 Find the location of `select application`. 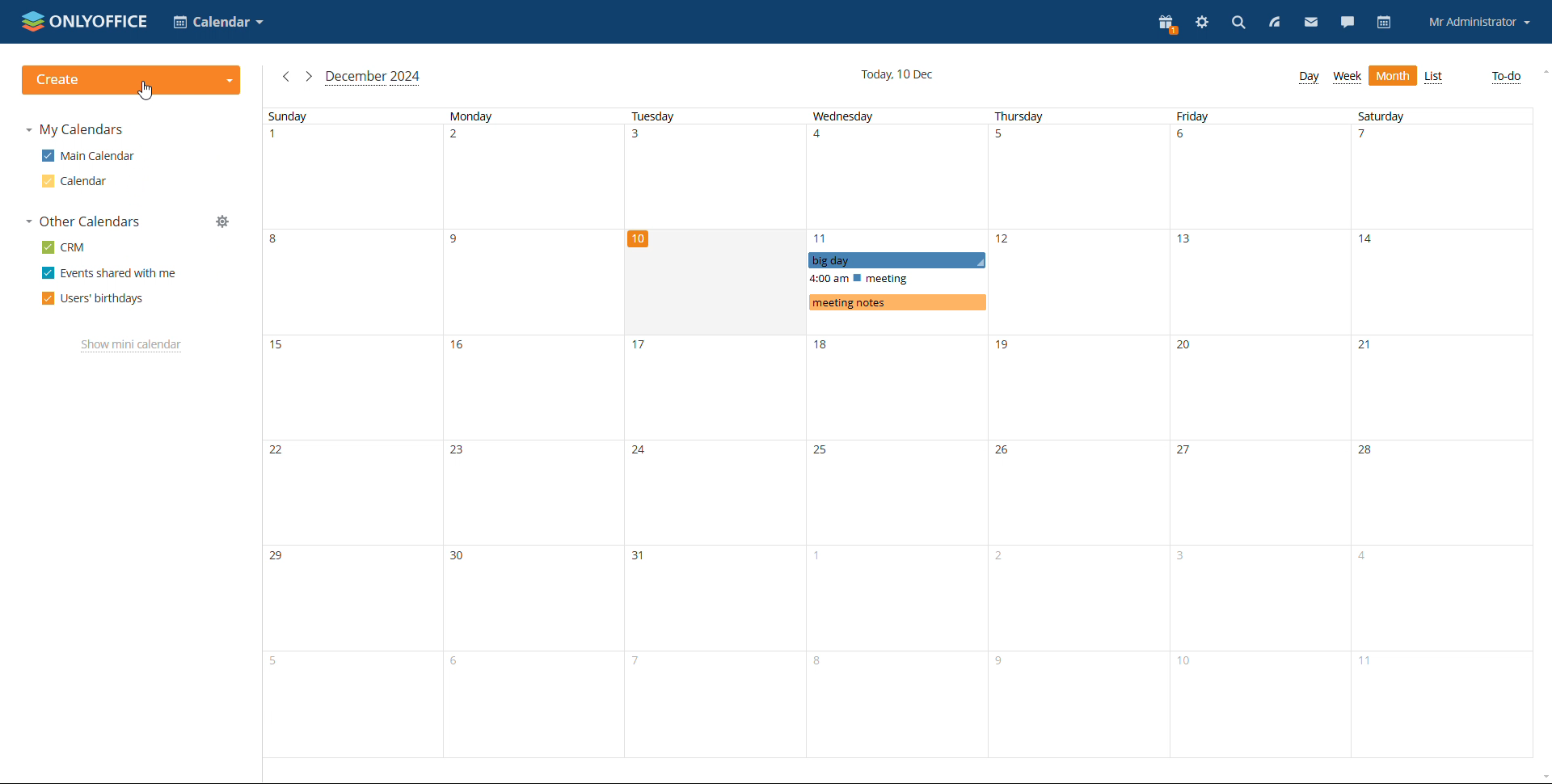

select application is located at coordinates (219, 22).